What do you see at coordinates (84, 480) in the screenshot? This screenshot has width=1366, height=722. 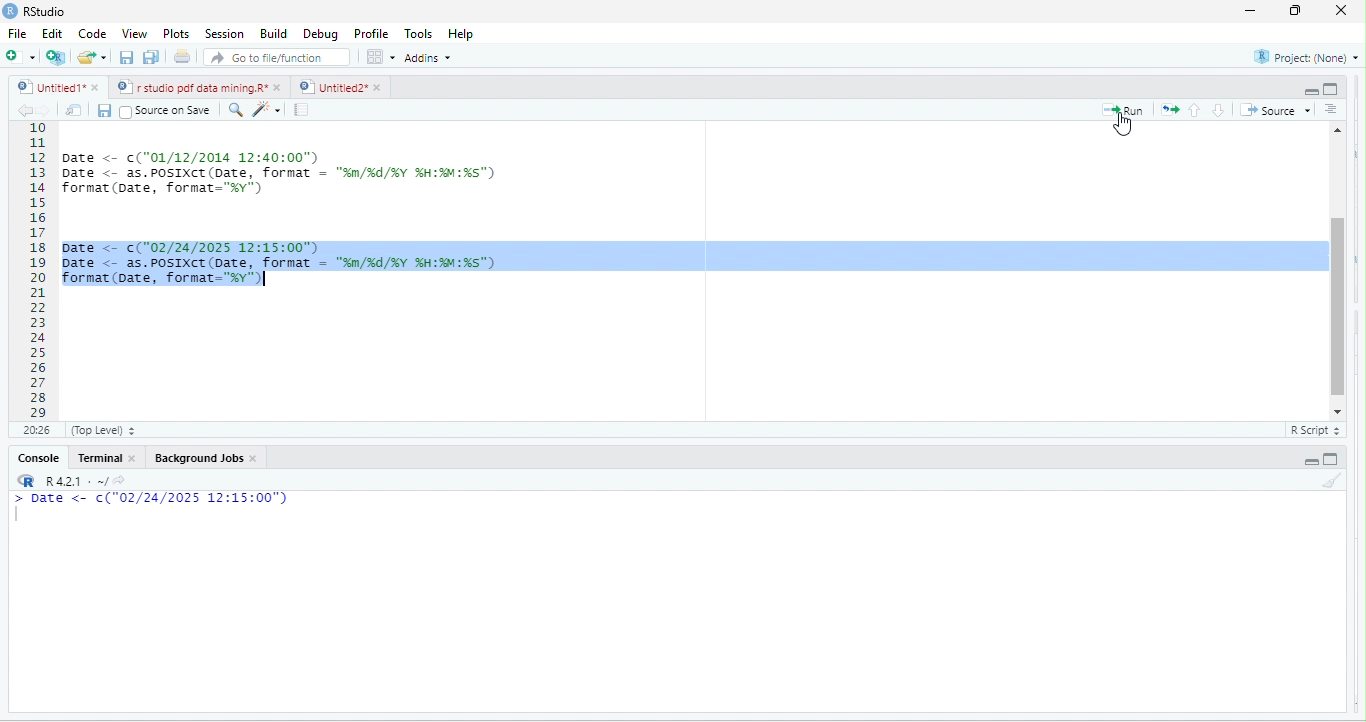 I see `R421: ~/` at bounding box center [84, 480].